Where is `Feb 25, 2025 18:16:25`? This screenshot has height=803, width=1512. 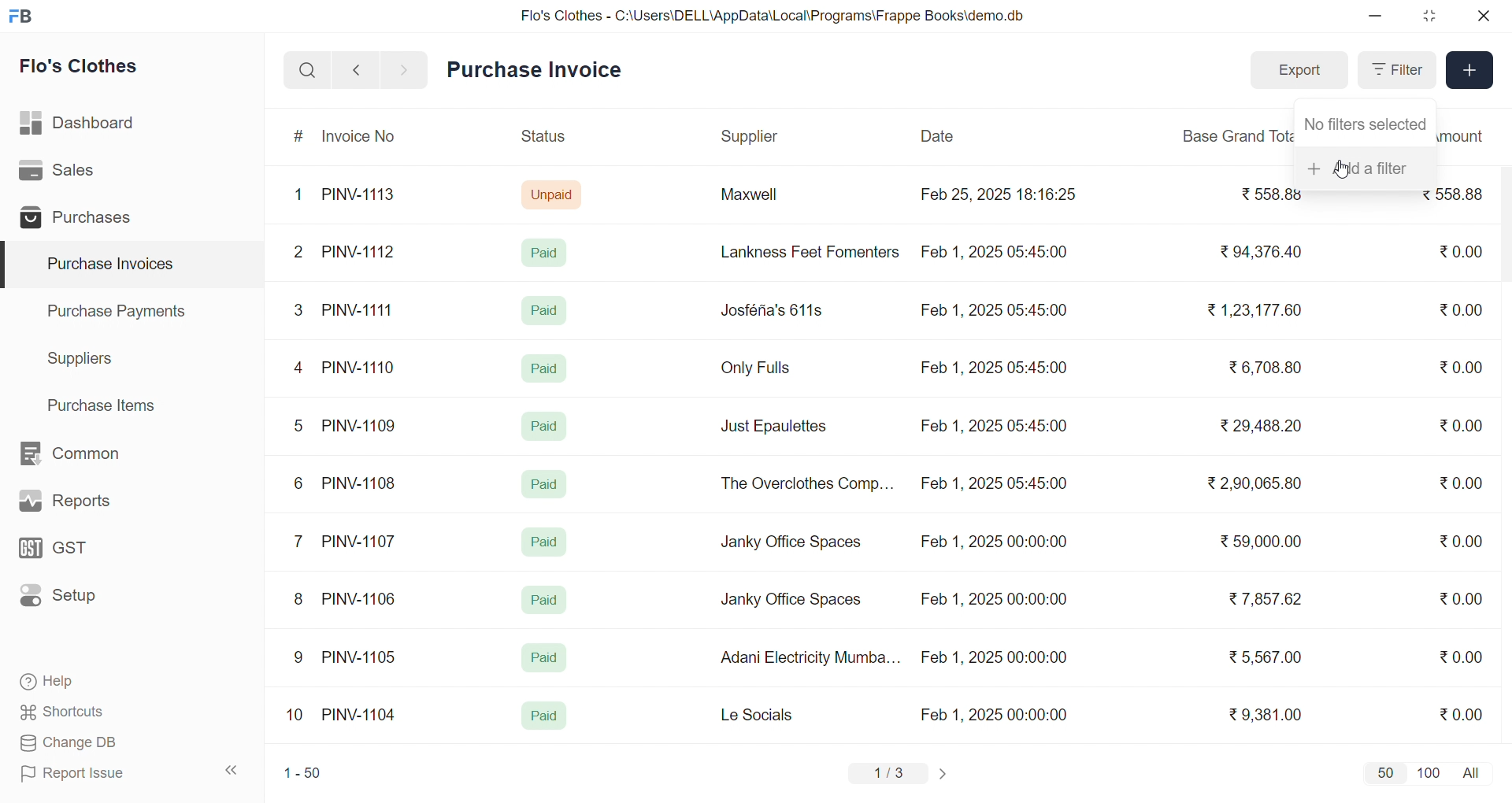
Feb 25, 2025 18:16:25 is located at coordinates (1001, 194).